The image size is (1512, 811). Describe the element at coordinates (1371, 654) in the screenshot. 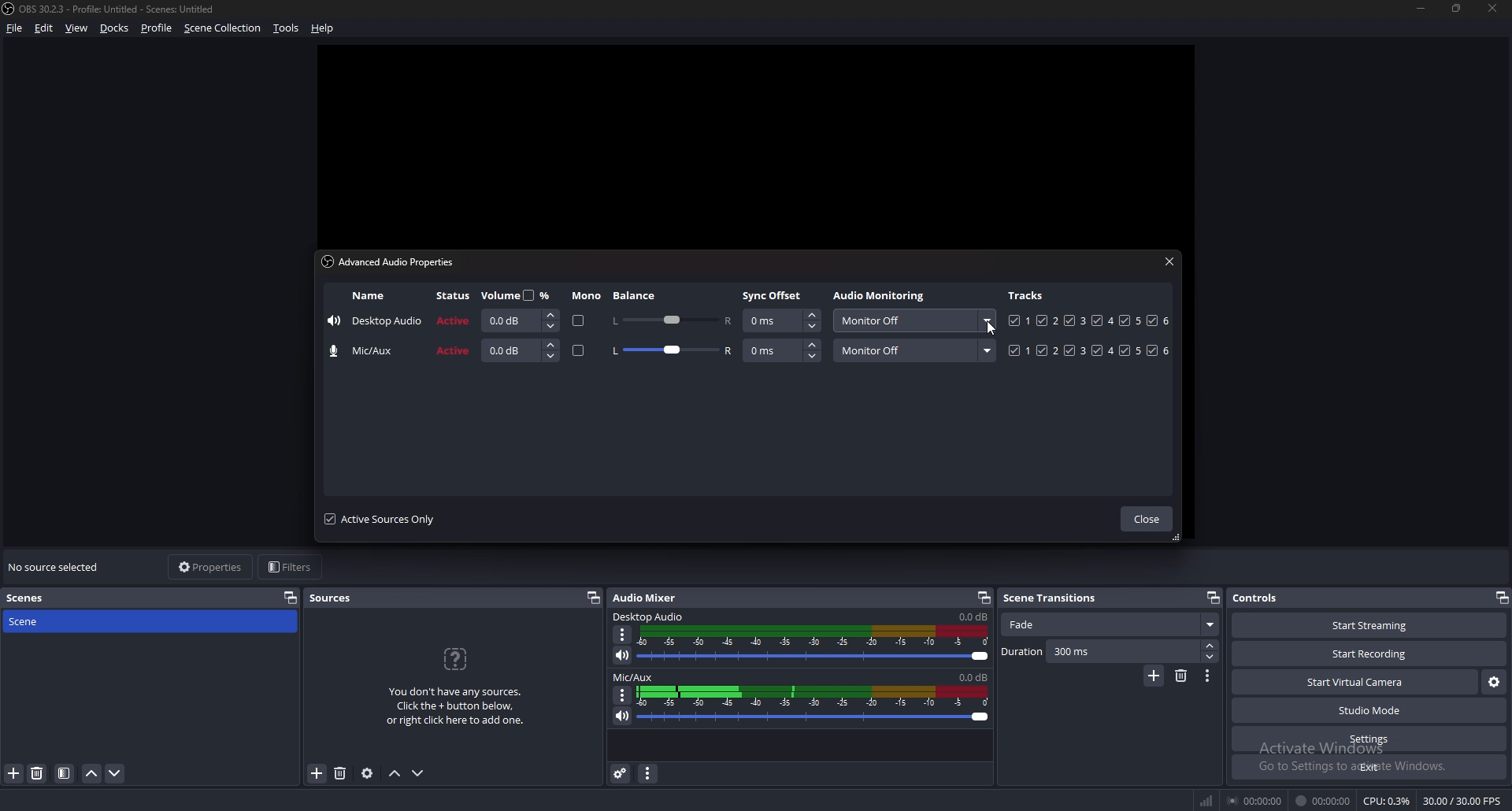

I see `start recording` at that location.